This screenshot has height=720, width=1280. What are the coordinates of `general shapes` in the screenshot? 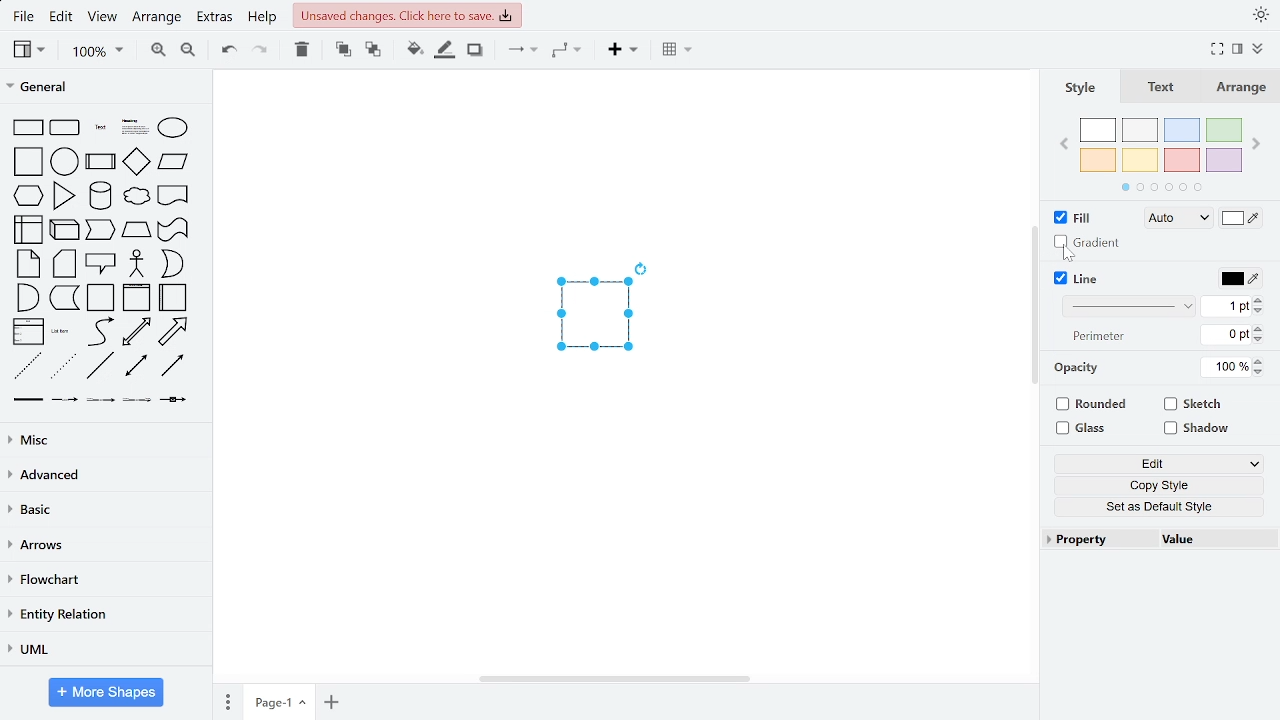 It's located at (99, 365).